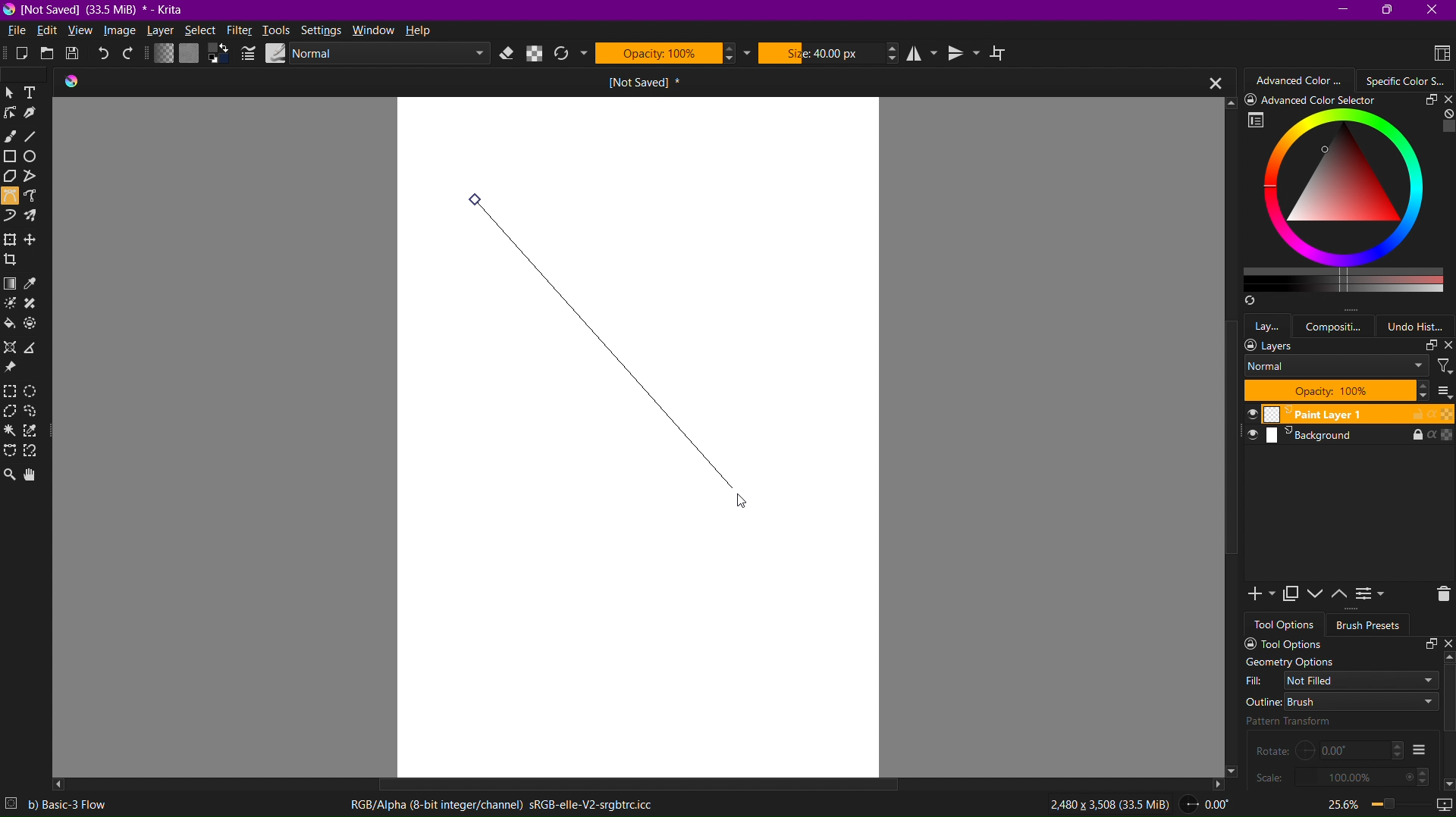 This screenshot has width=1456, height=817. I want to click on Assistant Tool, so click(14, 347).